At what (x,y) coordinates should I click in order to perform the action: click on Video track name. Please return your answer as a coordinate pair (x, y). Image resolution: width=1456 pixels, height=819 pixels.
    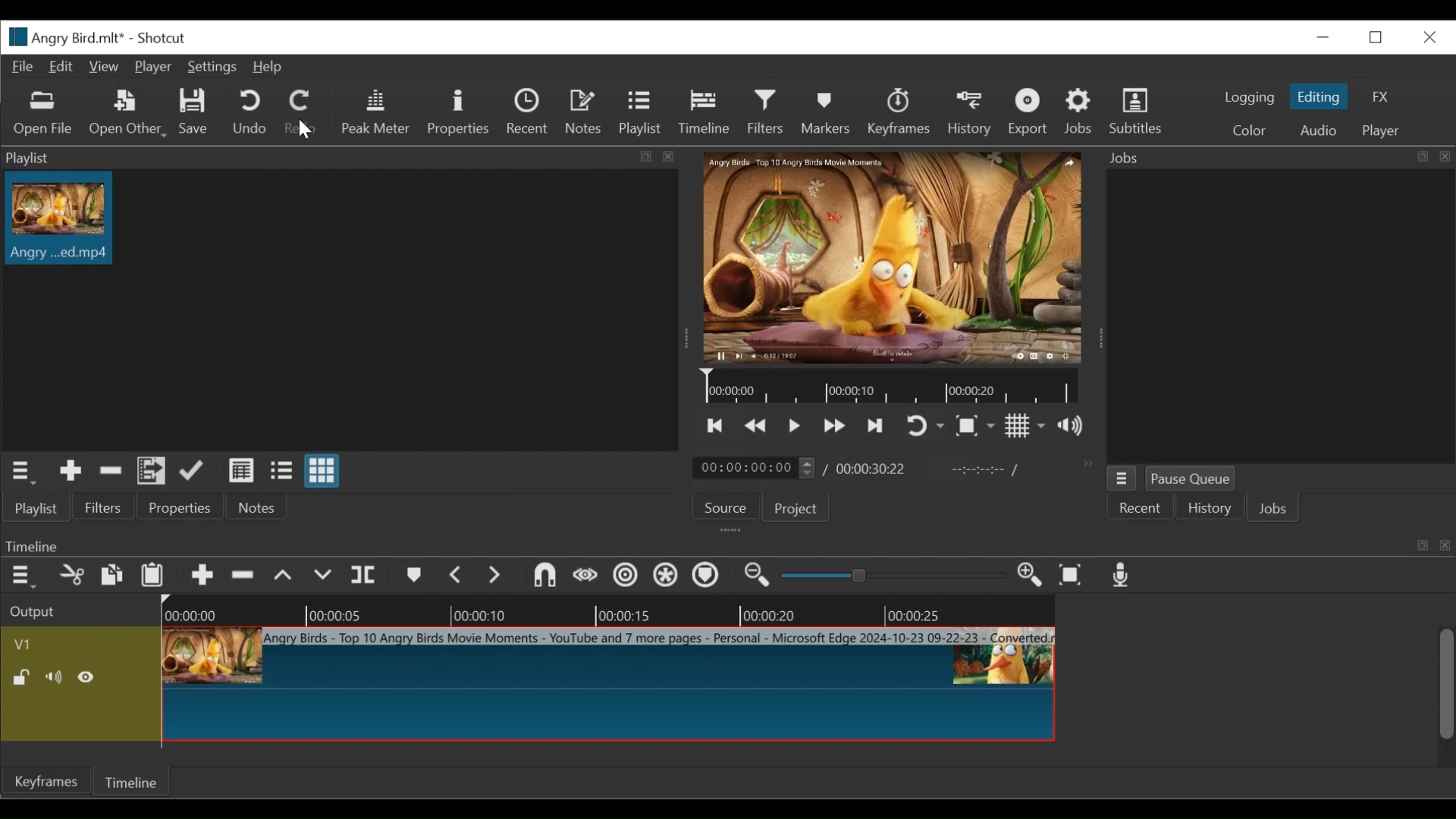
    Looking at the image, I should click on (76, 642).